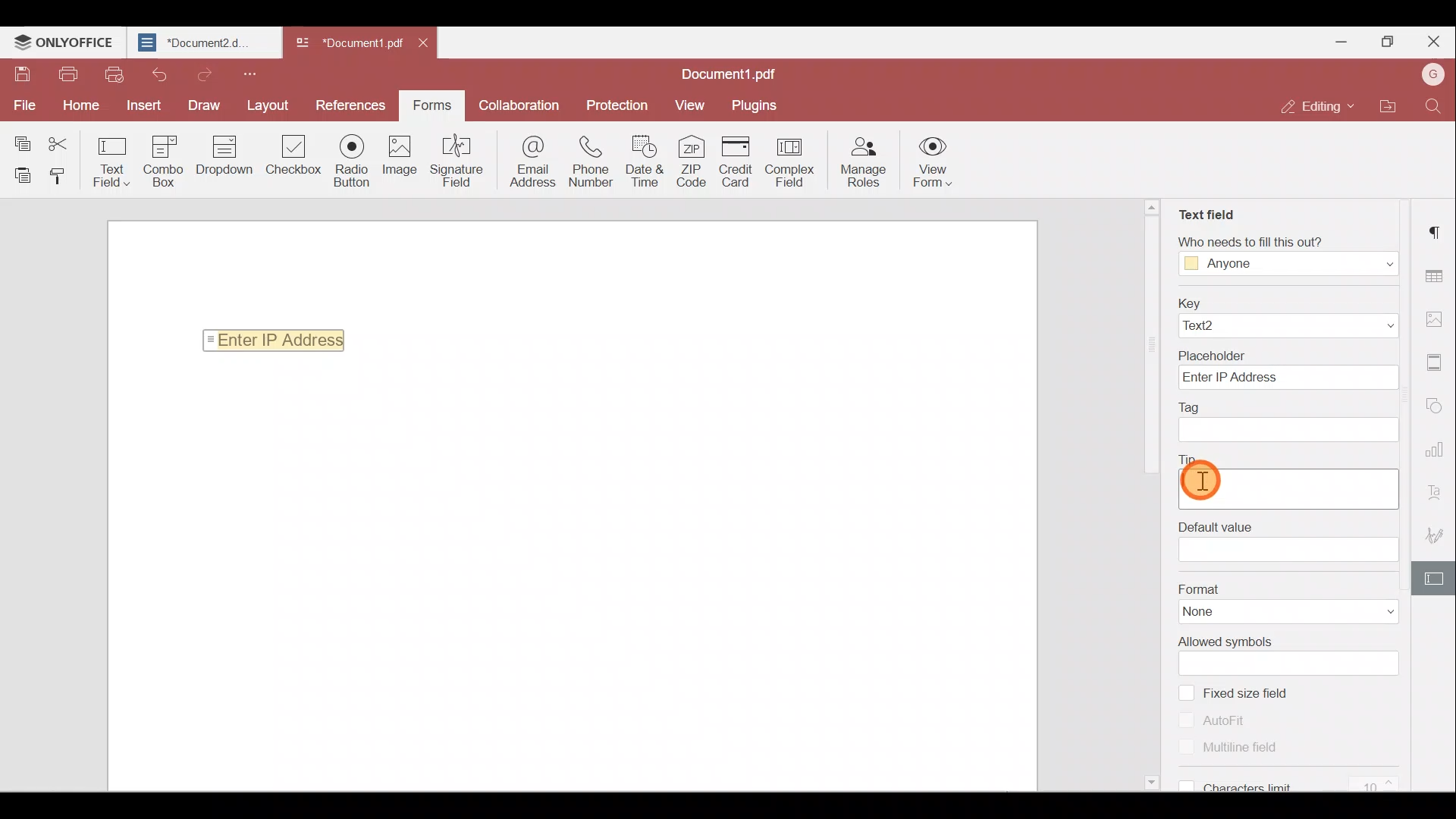 This screenshot has width=1456, height=819. I want to click on Protection, so click(622, 104).